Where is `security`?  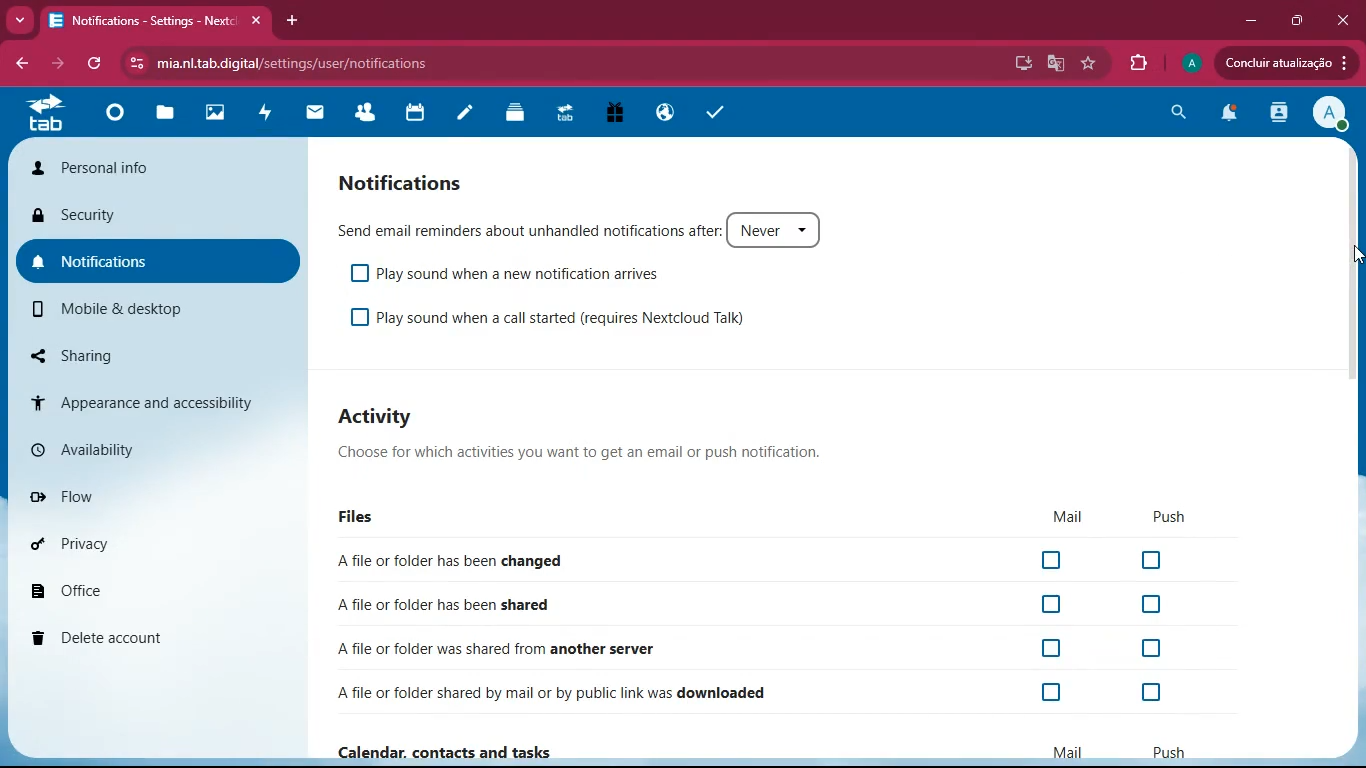 security is located at coordinates (149, 213).